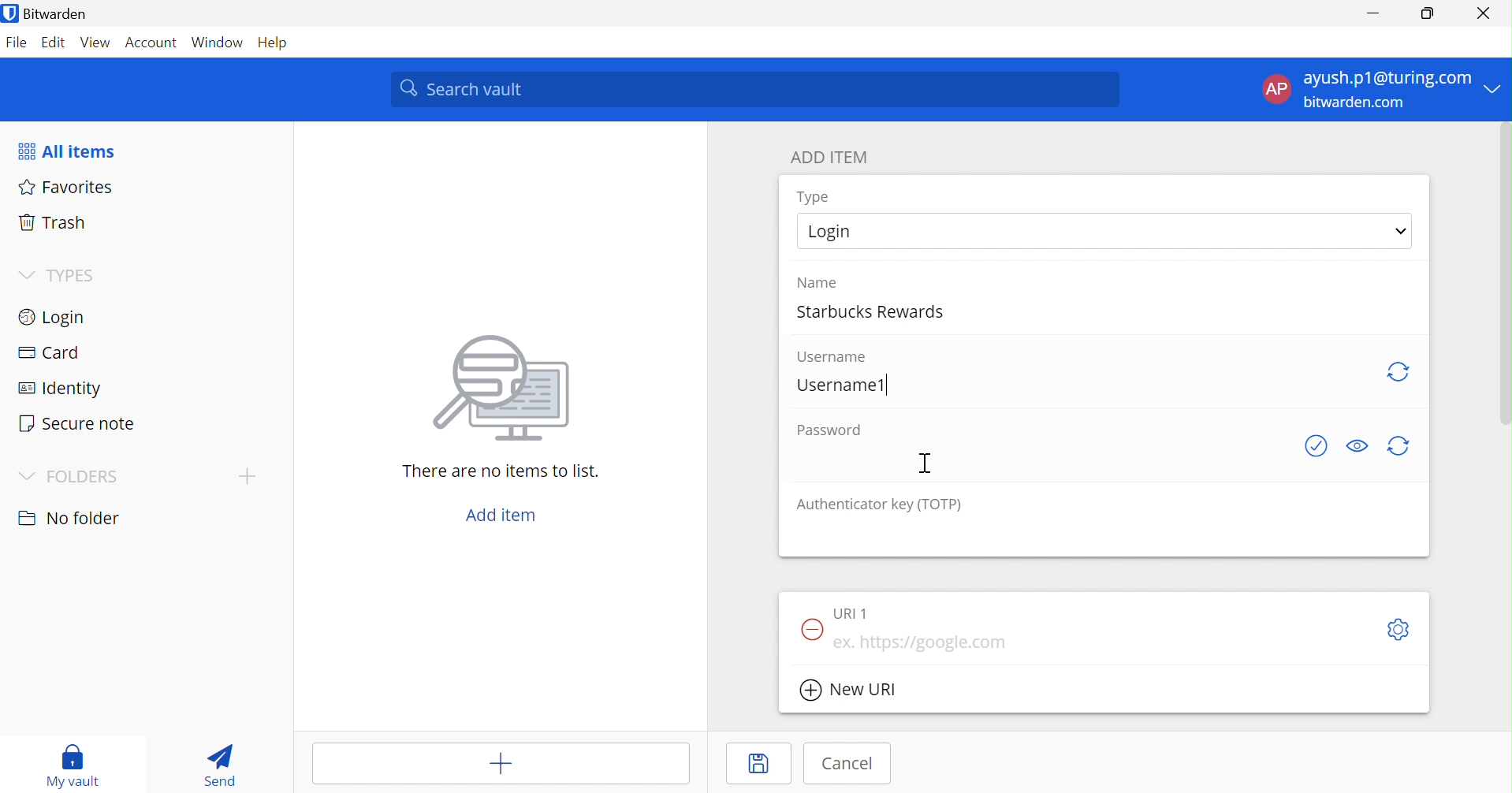 The width and height of the screenshot is (1512, 793). I want to click on Add item, so click(505, 516).